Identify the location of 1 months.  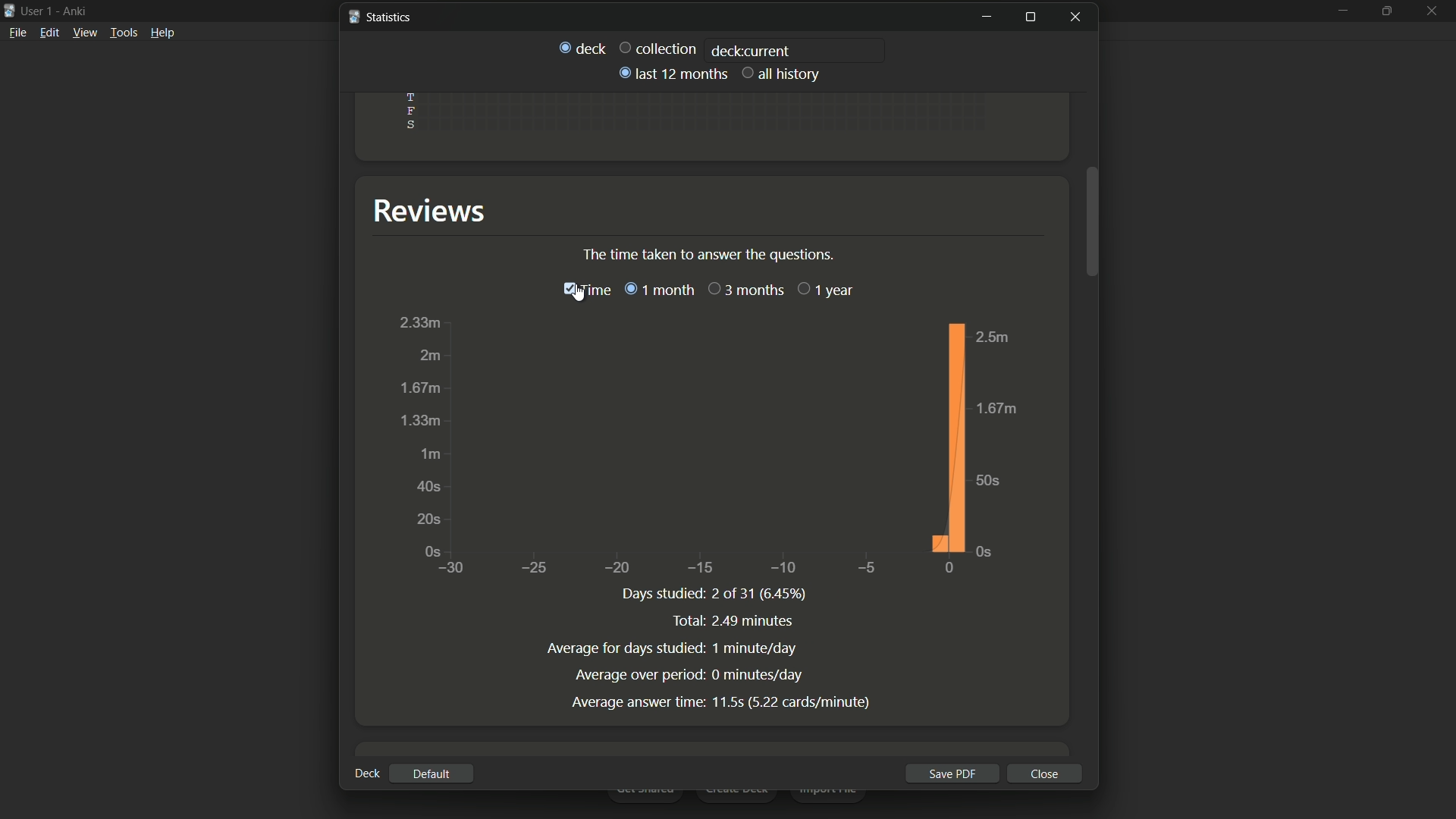
(658, 289).